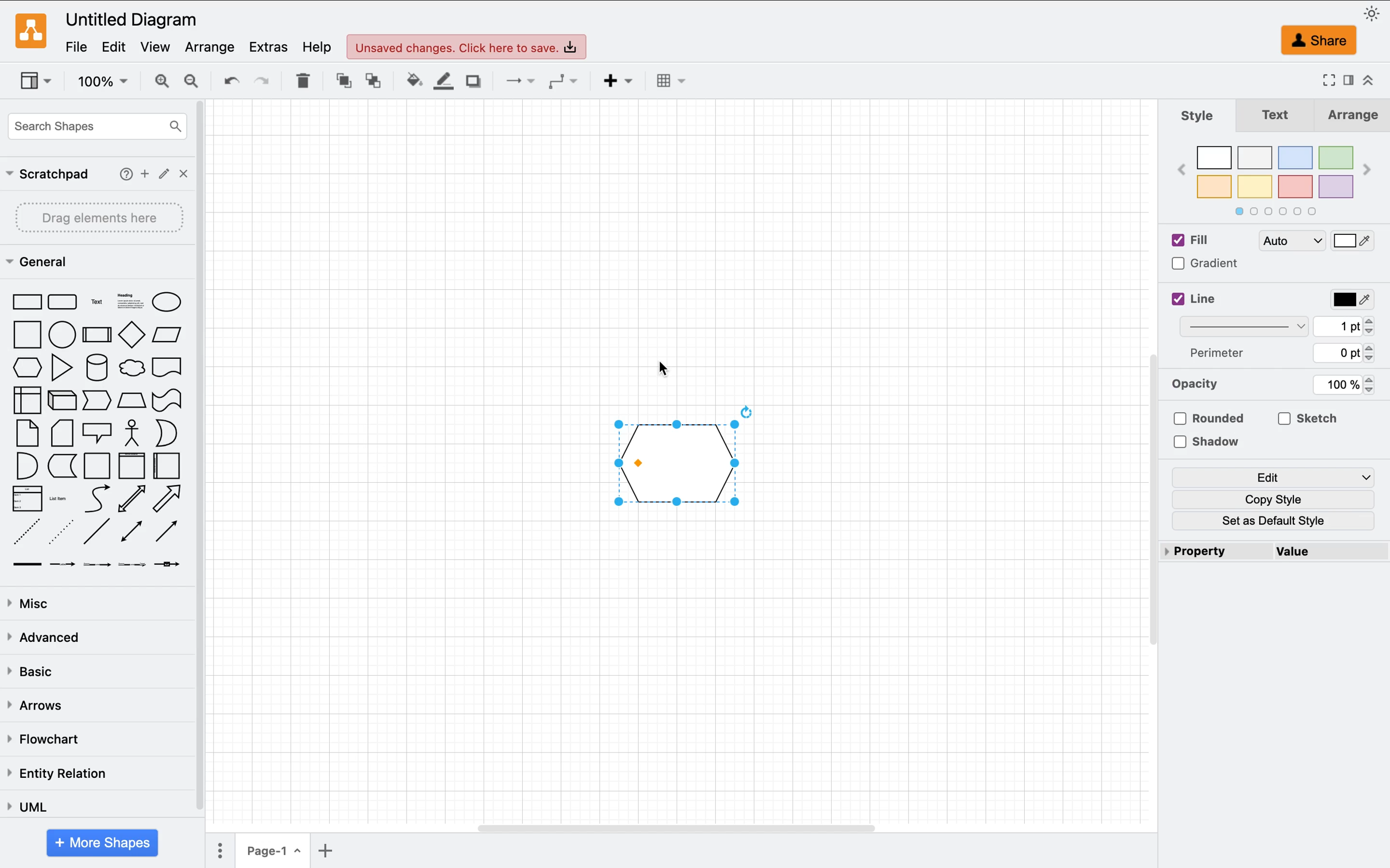 The width and height of the screenshot is (1390, 868). Describe the element at coordinates (94, 401) in the screenshot. I see `step` at that location.